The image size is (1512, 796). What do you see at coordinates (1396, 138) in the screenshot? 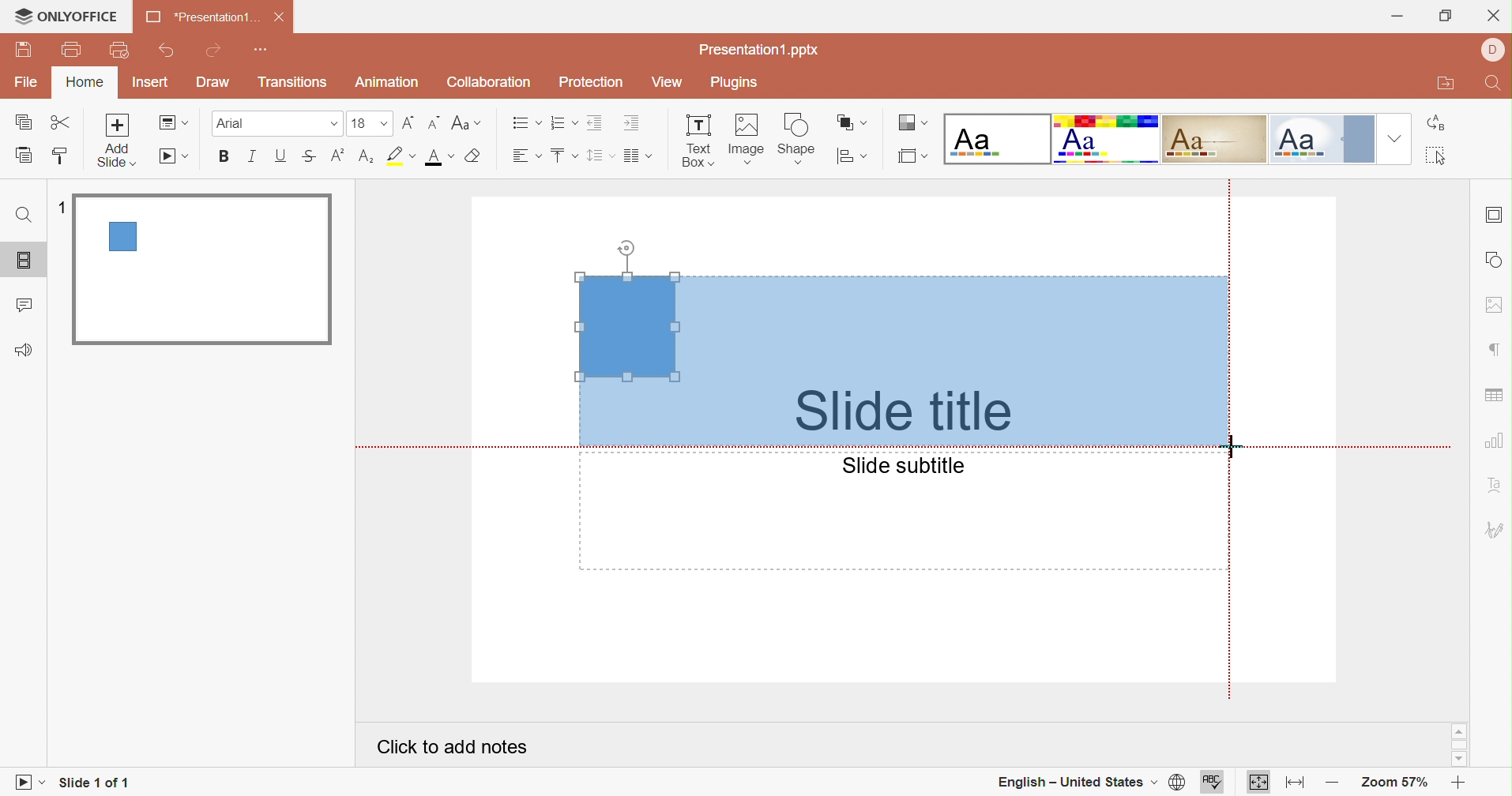
I see `Drop down` at bounding box center [1396, 138].